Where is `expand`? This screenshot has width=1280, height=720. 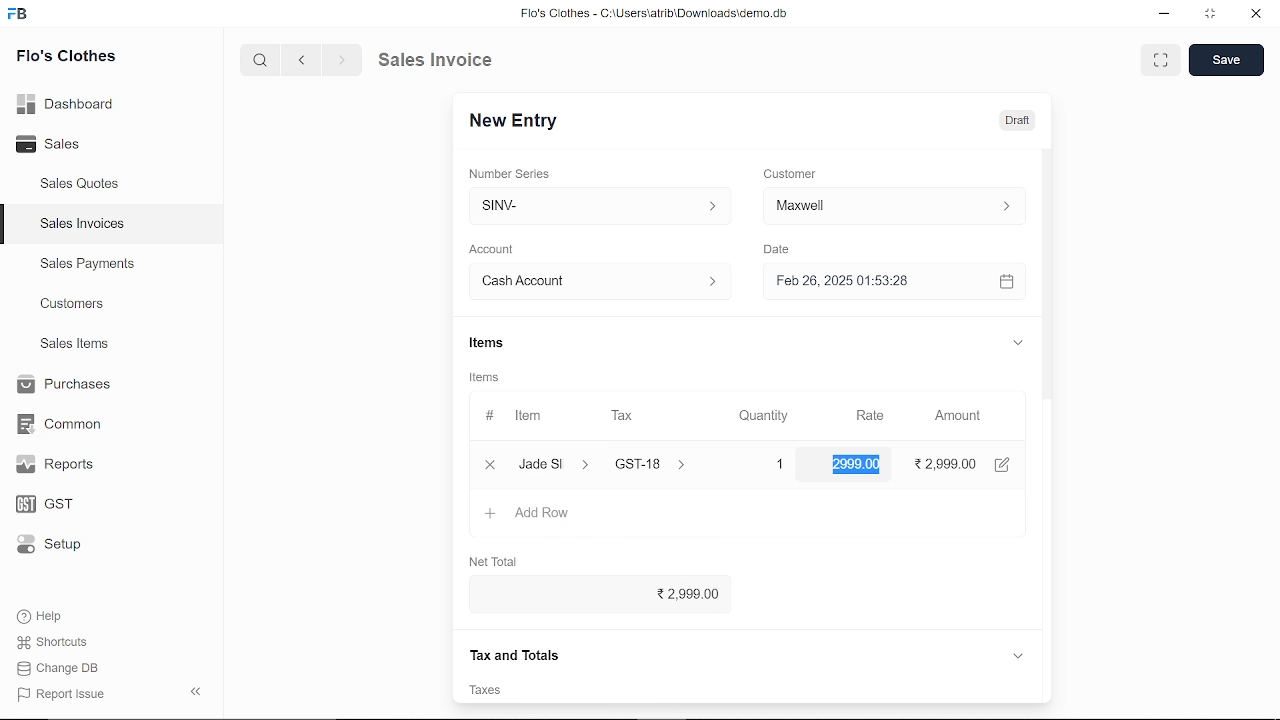
expand is located at coordinates (1016, 341).